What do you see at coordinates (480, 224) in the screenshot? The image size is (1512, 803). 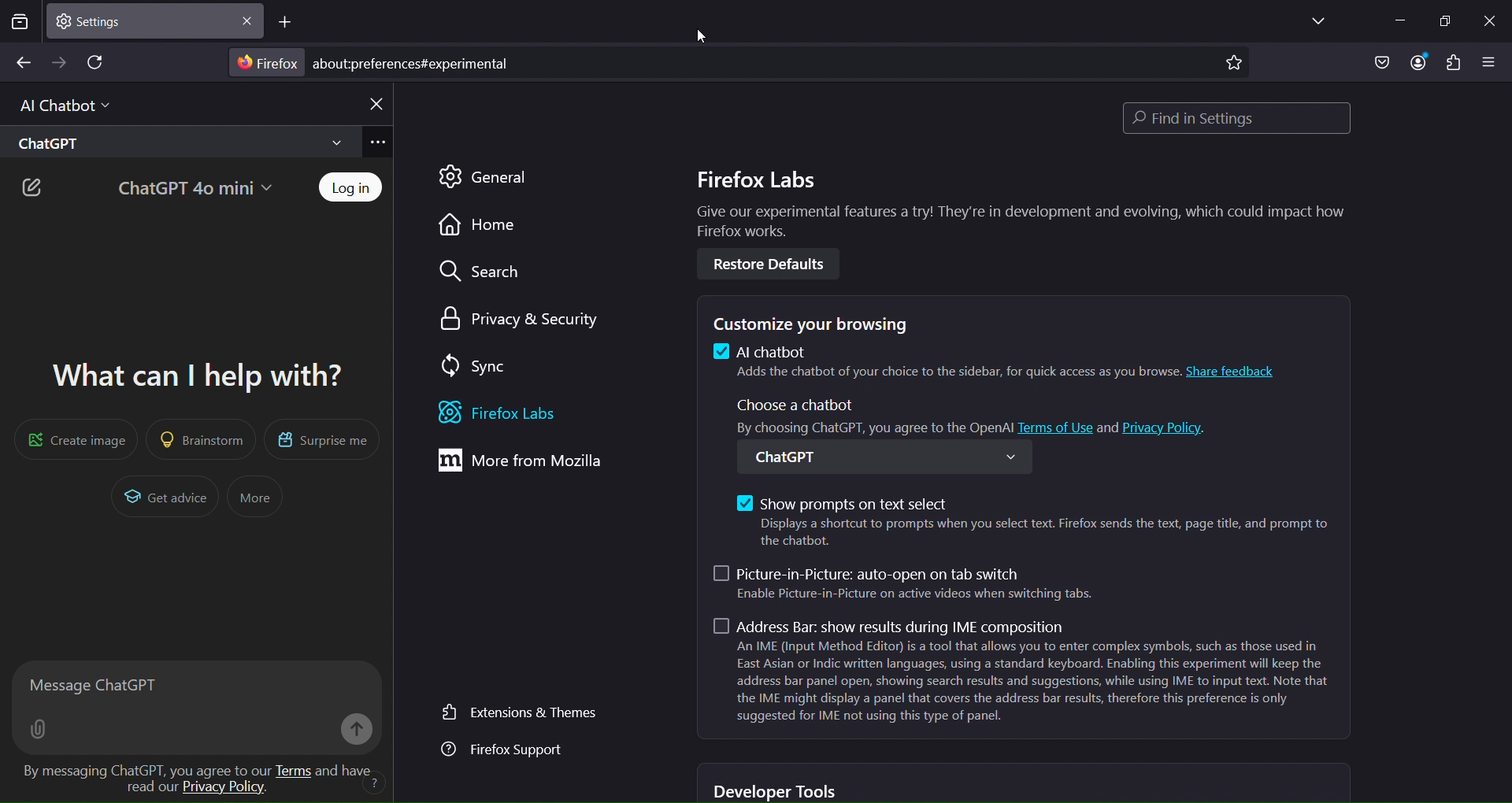 I see `home` at bounding box center [480, 224].